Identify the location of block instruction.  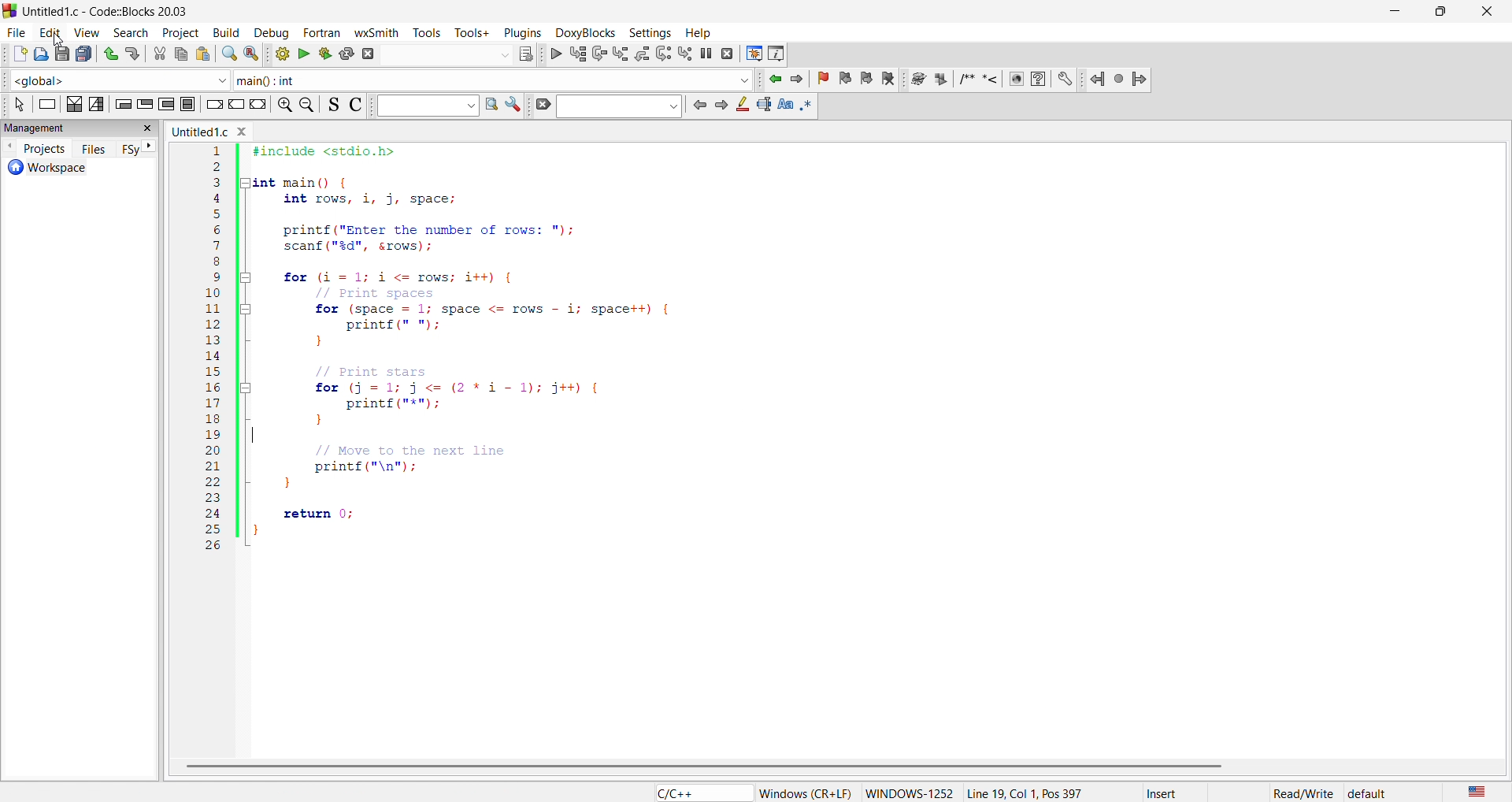
(189, 104).